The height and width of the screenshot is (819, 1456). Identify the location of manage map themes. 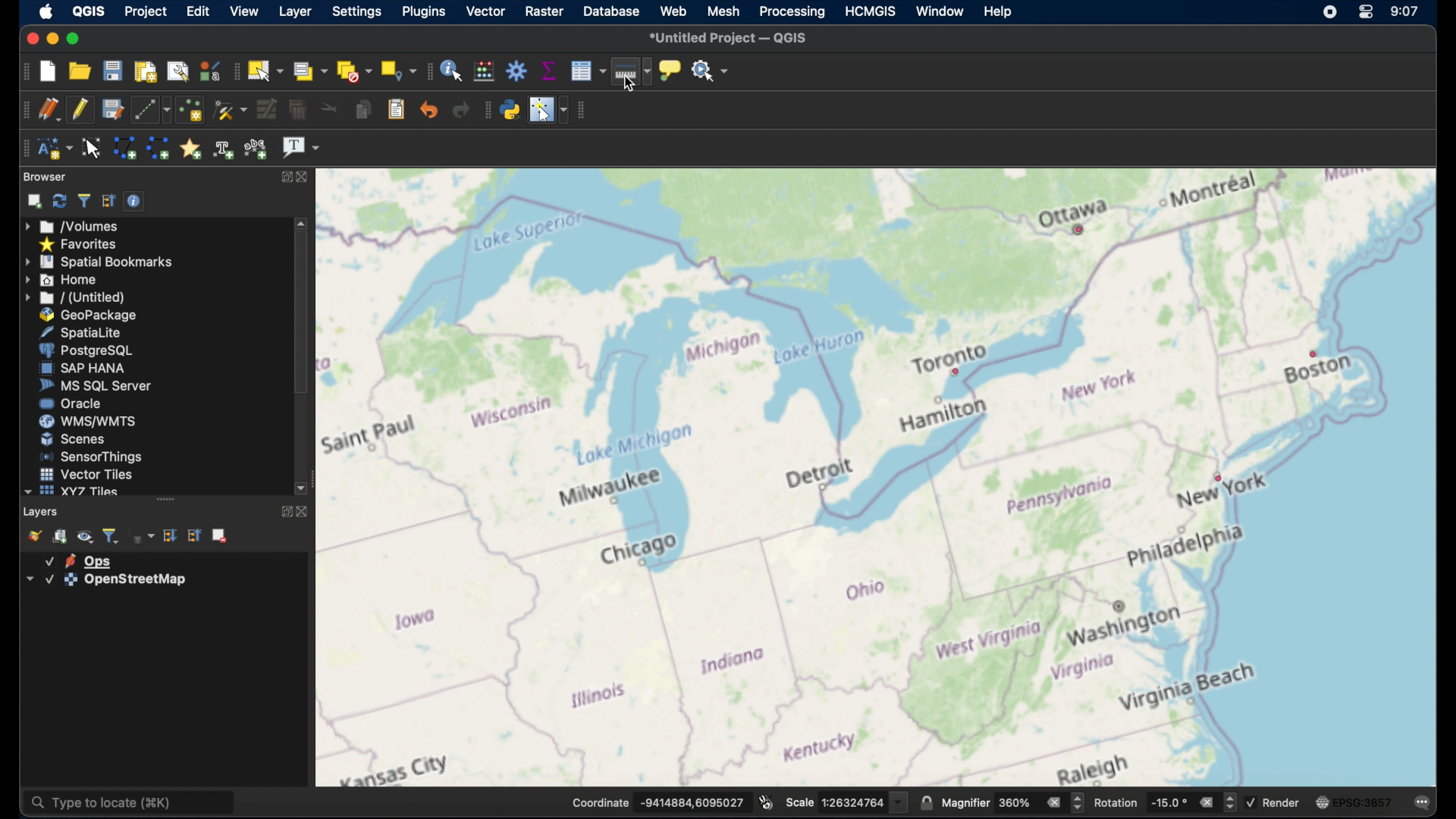
(85, 536).